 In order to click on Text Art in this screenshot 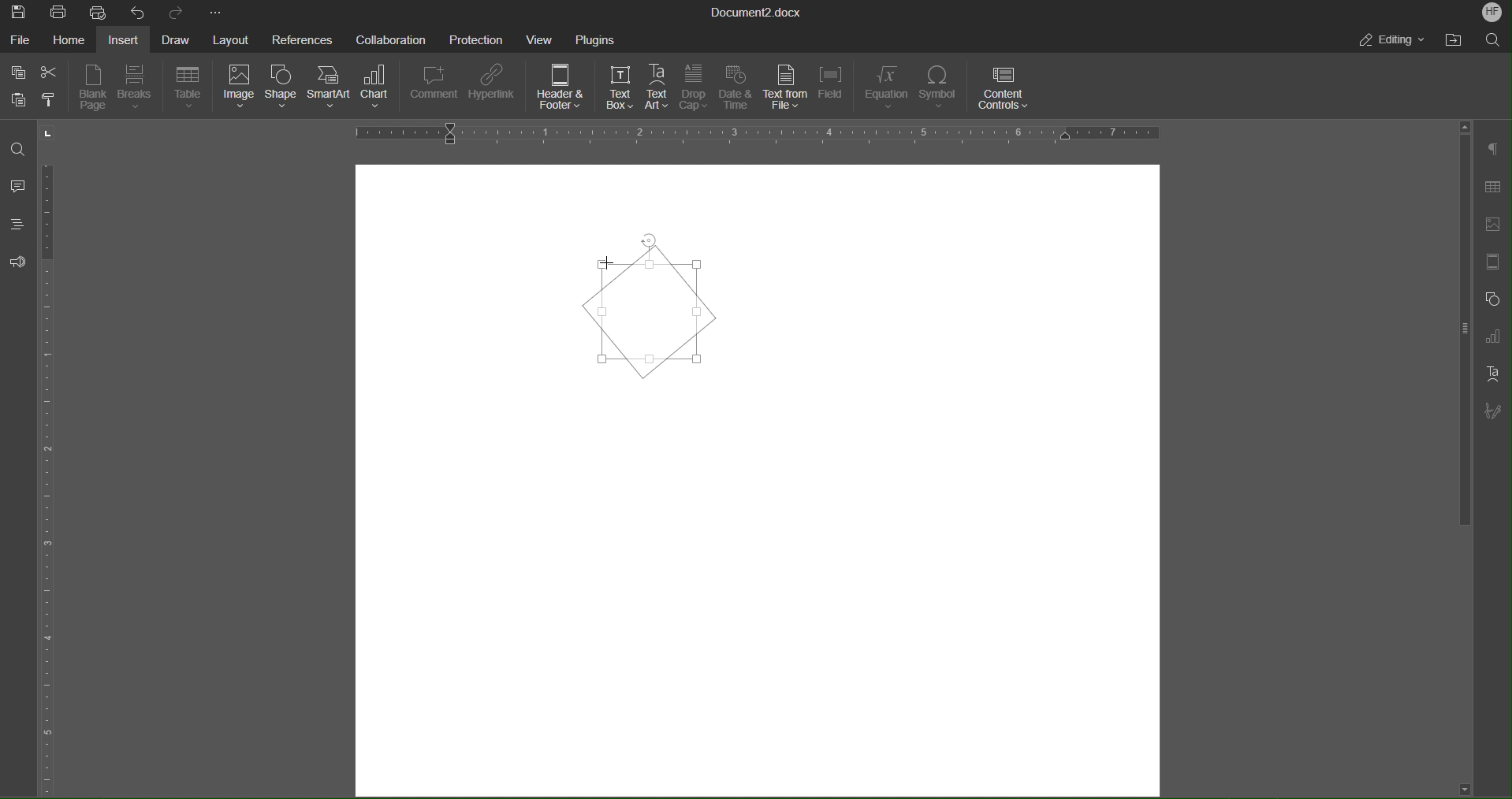, I will do `click(1492, 373)`.